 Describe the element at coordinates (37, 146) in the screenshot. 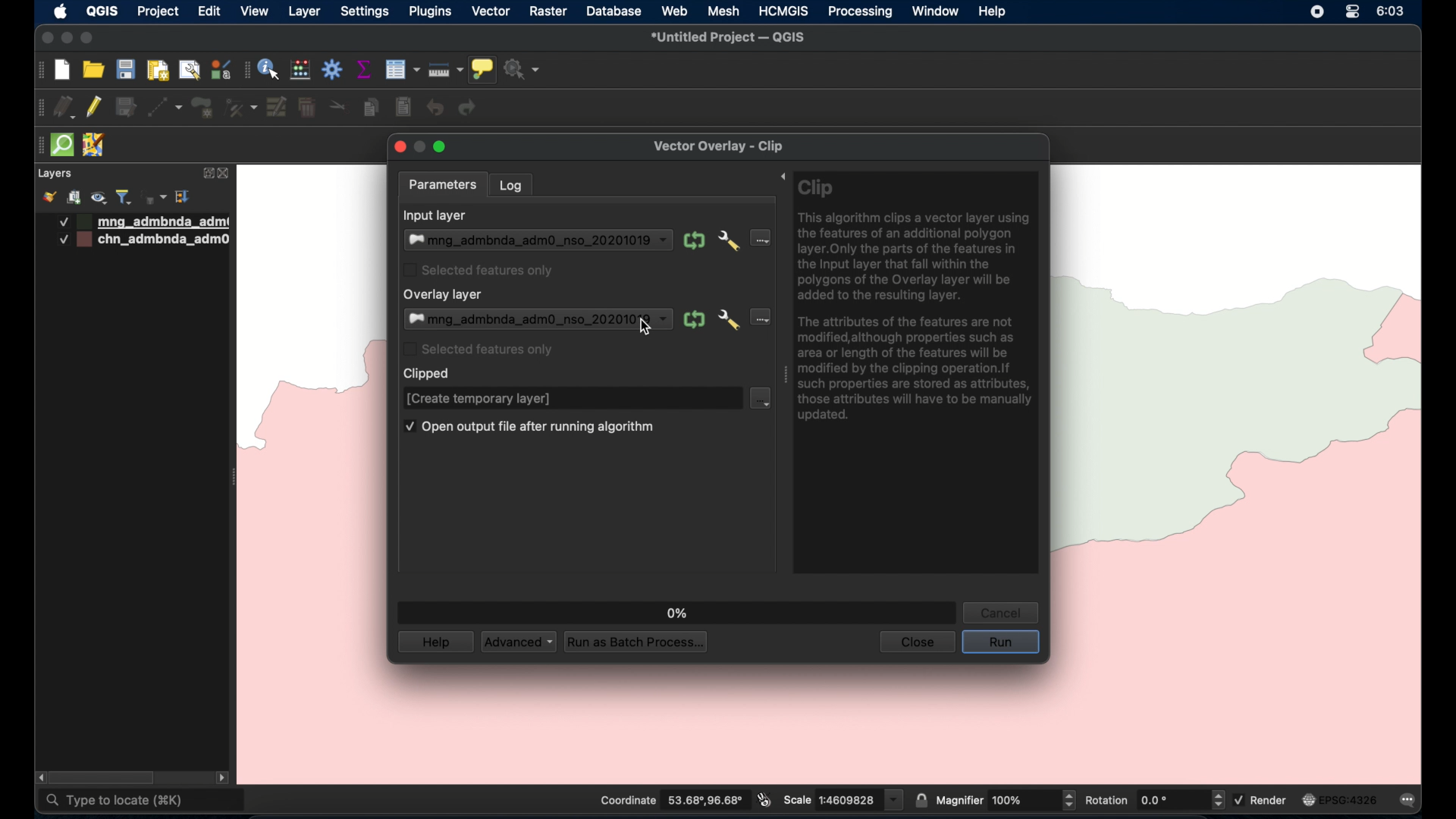

I see `drag handle` at that location.